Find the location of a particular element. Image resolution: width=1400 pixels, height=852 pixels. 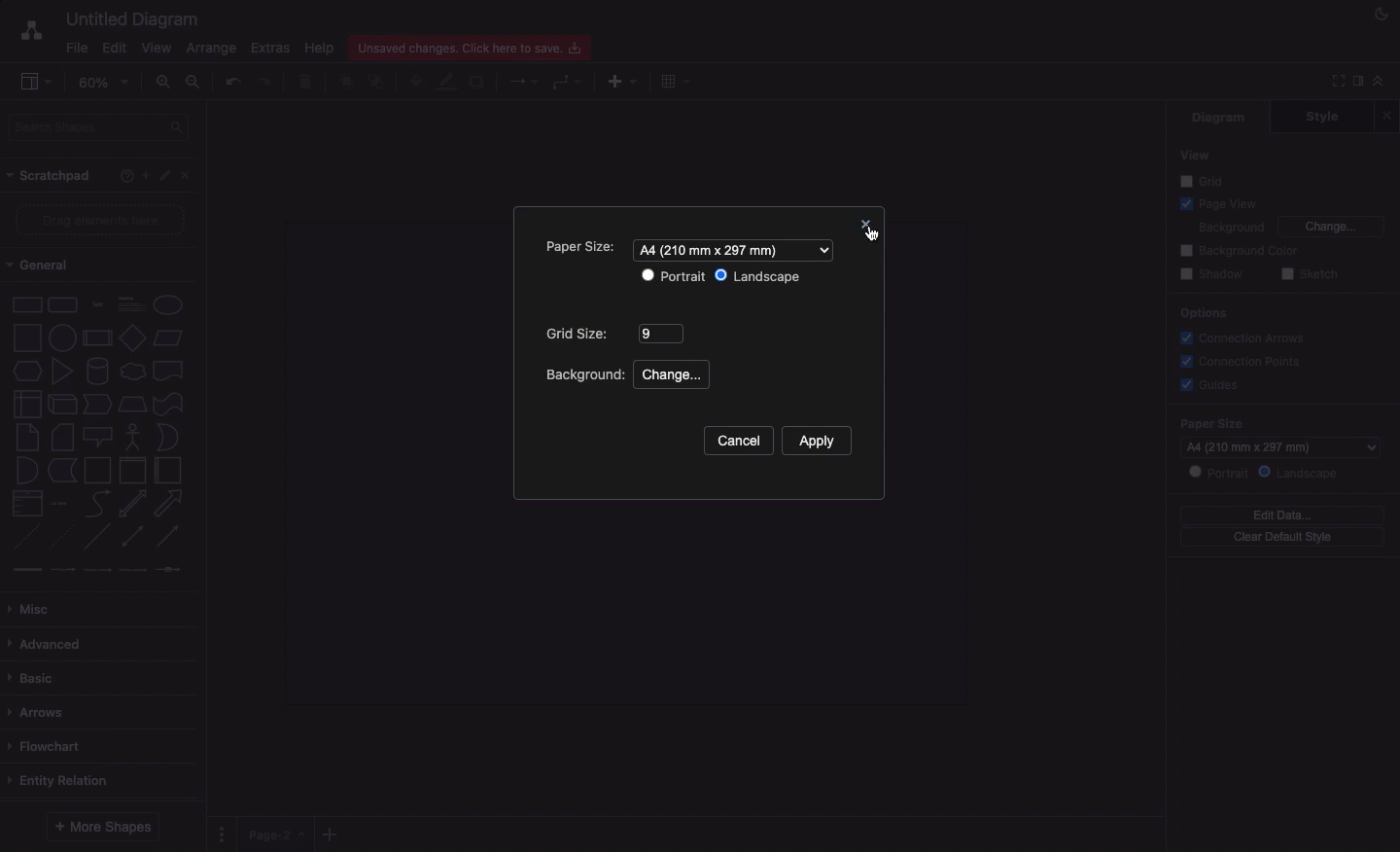

A4 (210 mm x 297 mm) is located at coordinates (738, 248).